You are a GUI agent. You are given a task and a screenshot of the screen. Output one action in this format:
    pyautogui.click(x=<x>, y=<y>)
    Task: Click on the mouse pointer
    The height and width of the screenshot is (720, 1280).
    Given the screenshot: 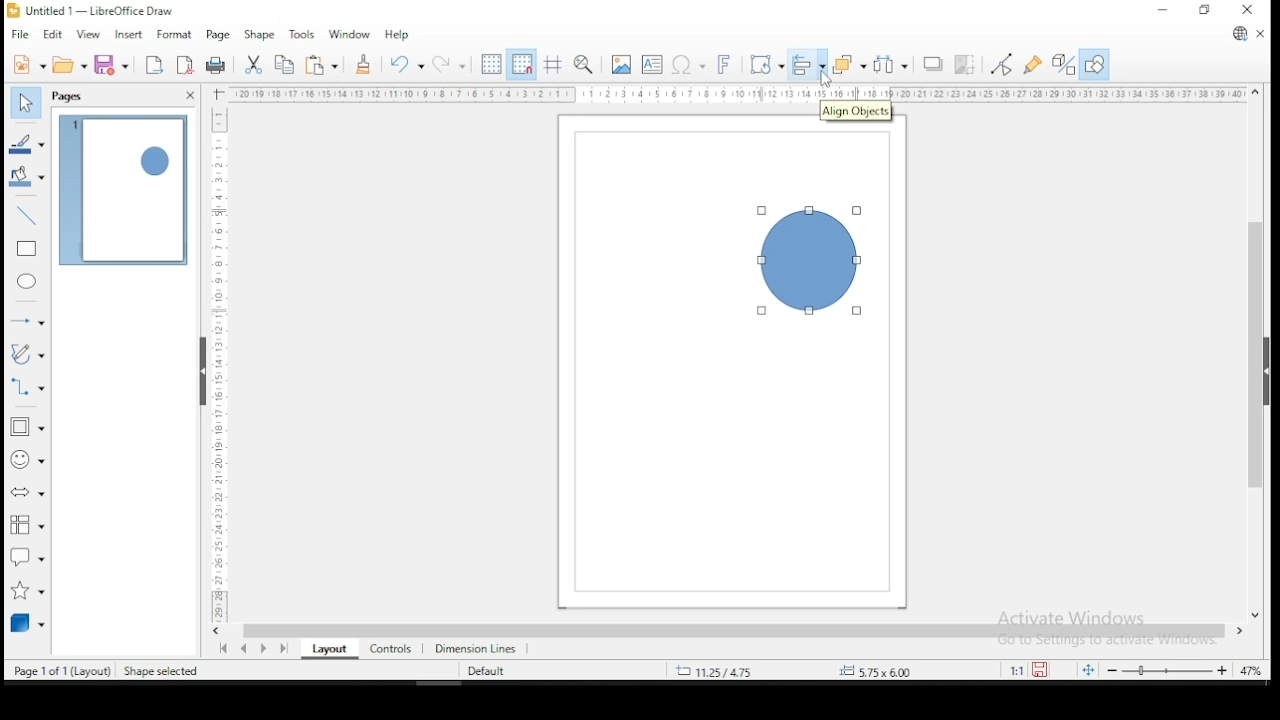 What is the action you would take?
    pyautogui.click(x=823, y=81)
    